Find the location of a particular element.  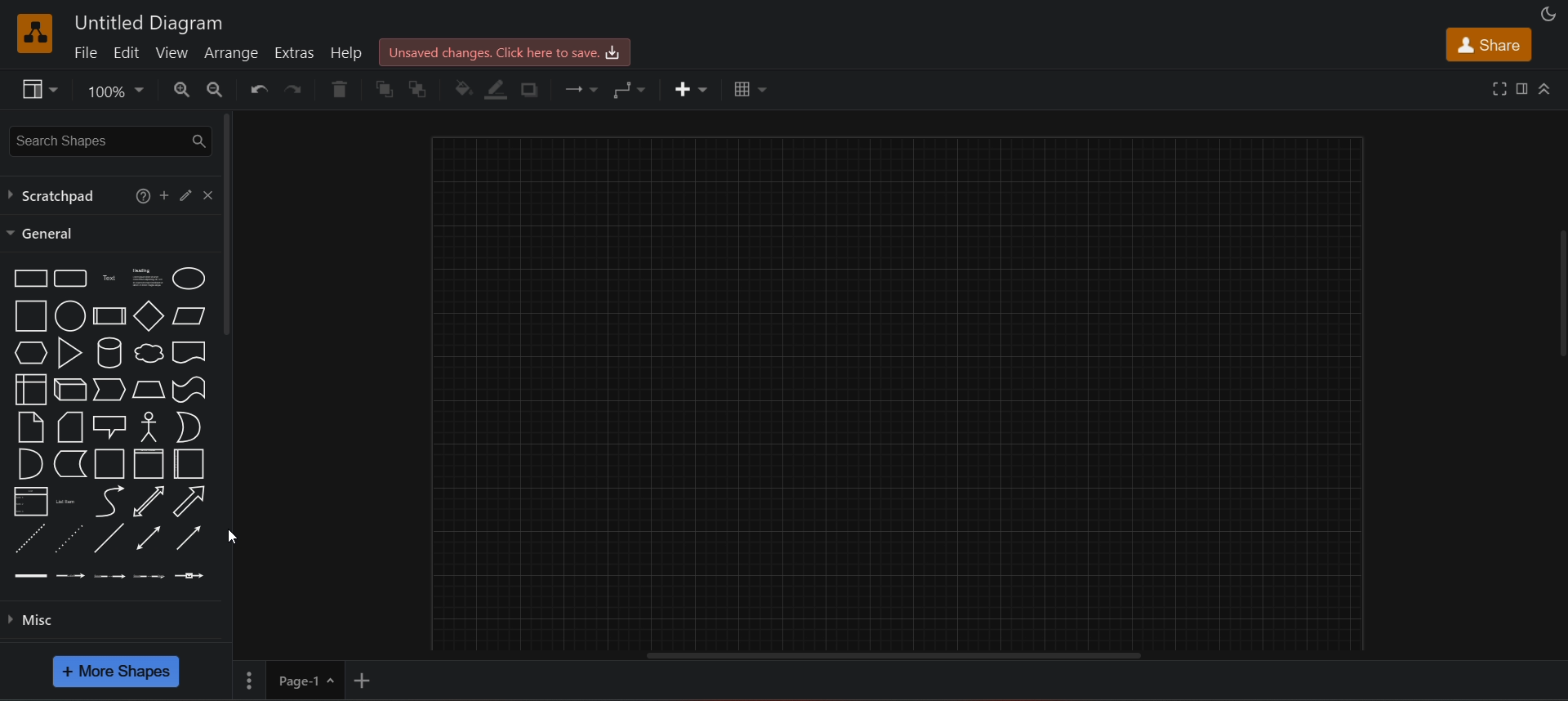

and is located at coordinates (27, 462).